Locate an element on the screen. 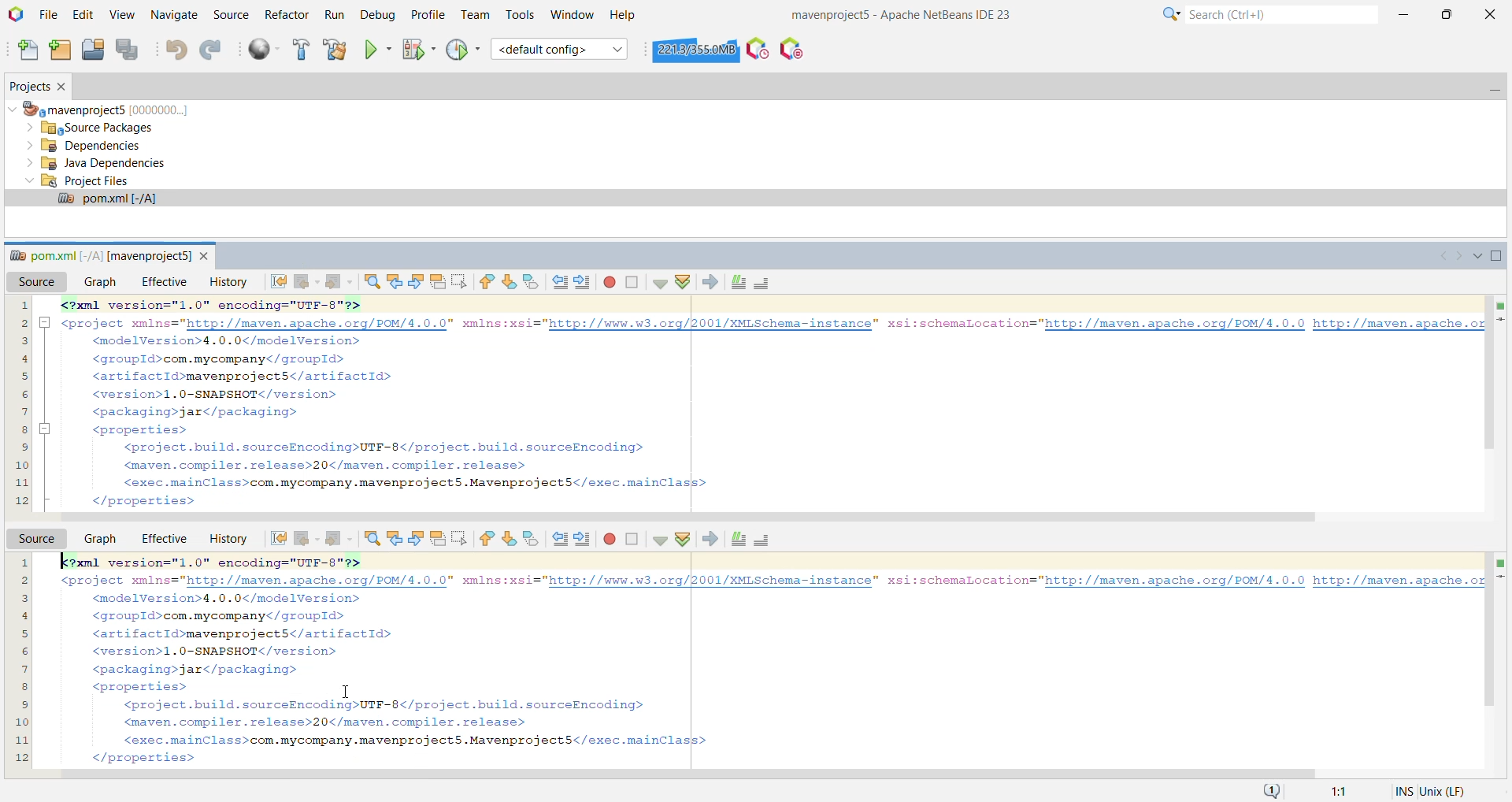 The width and height of the screenshot is (1512, 802). Close is located at coordinates (1491, 13).